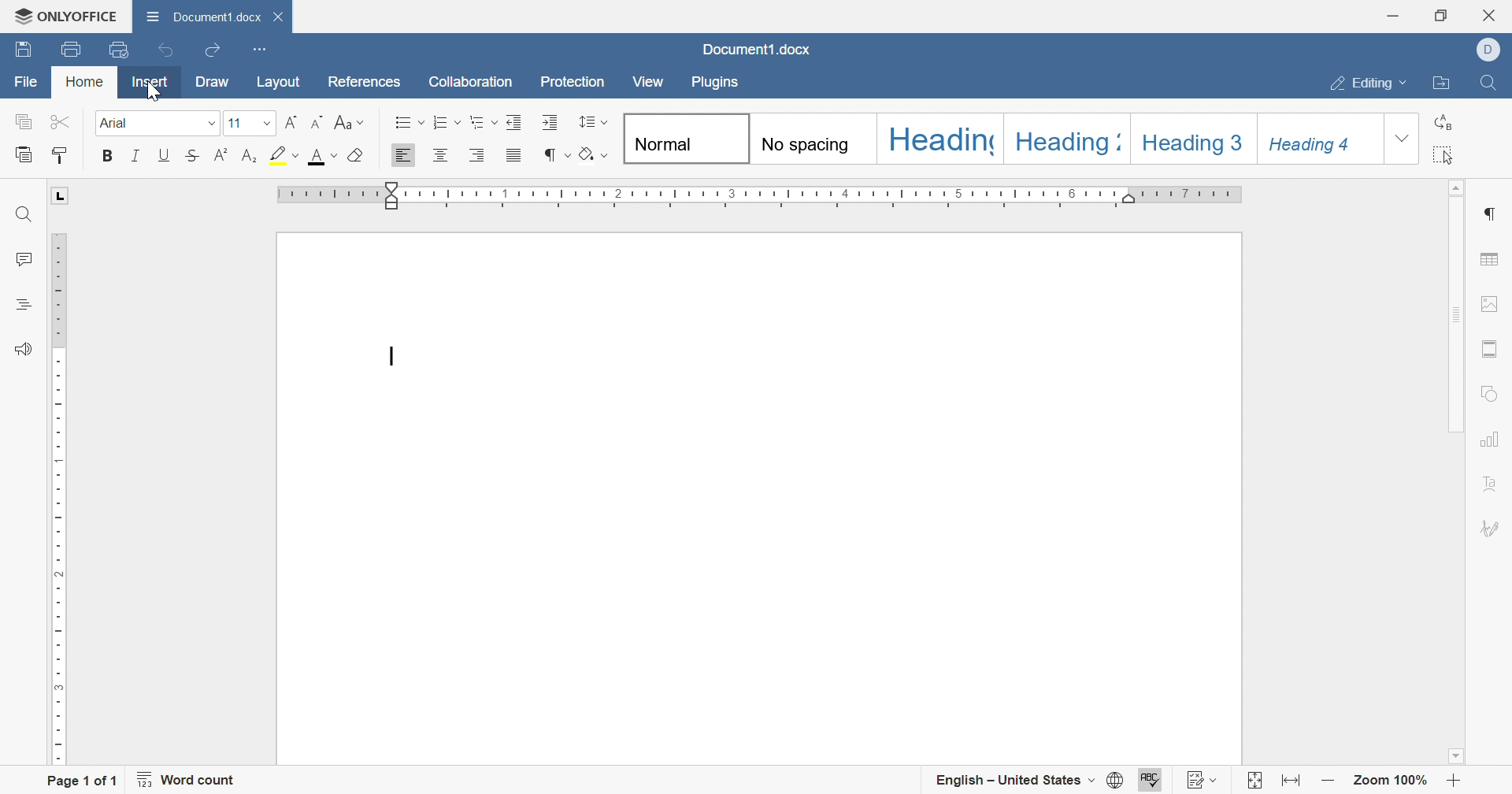 Image resolution: width=1512 pixels, height=794 pixels. Describe the element at coordinates (403, 157) in the screenshot. I see `Align left` at that location.